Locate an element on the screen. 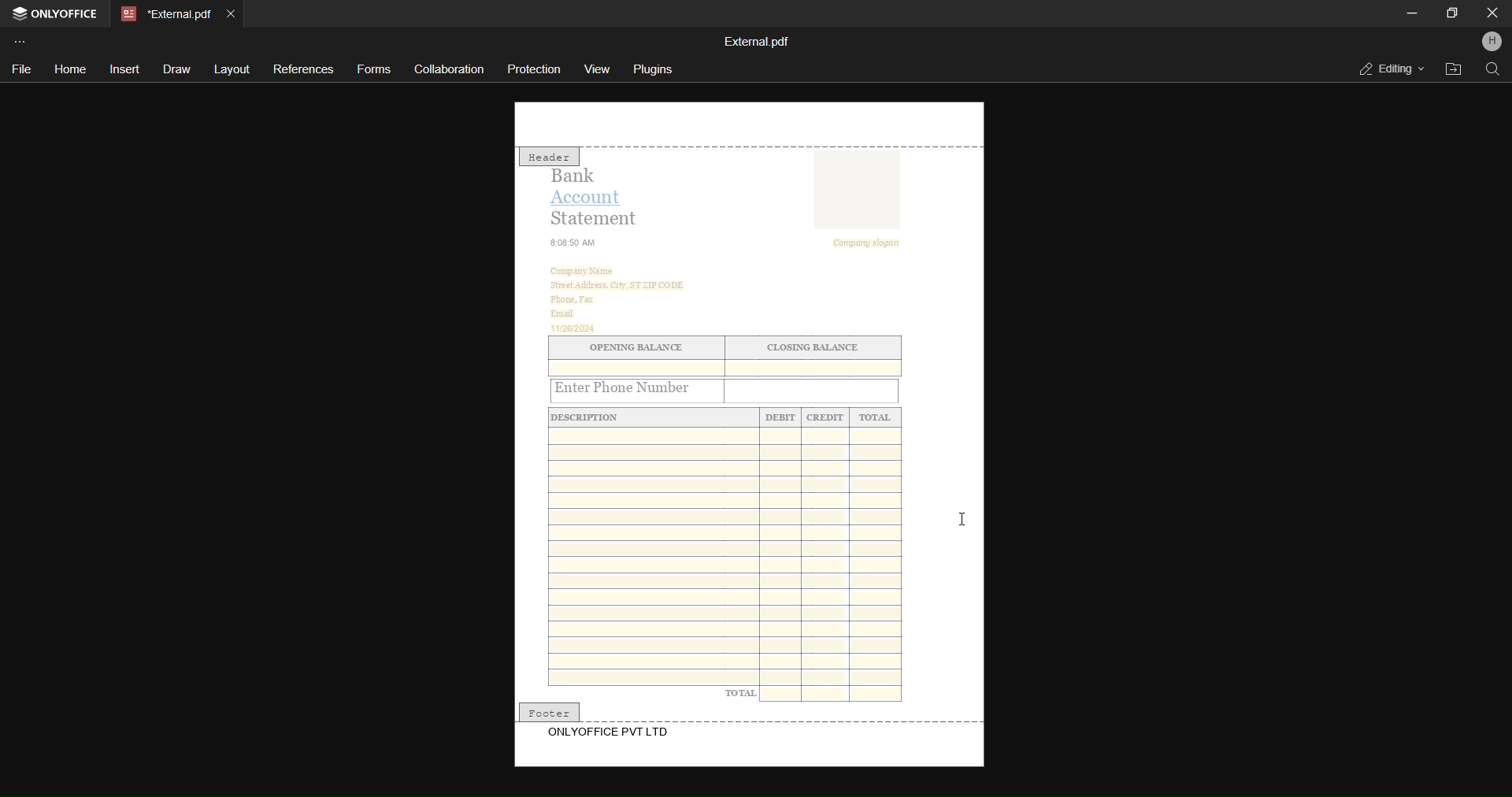 The image size is (1512, 797). ‘Phone, Fax is located at coordinates (572, 300).